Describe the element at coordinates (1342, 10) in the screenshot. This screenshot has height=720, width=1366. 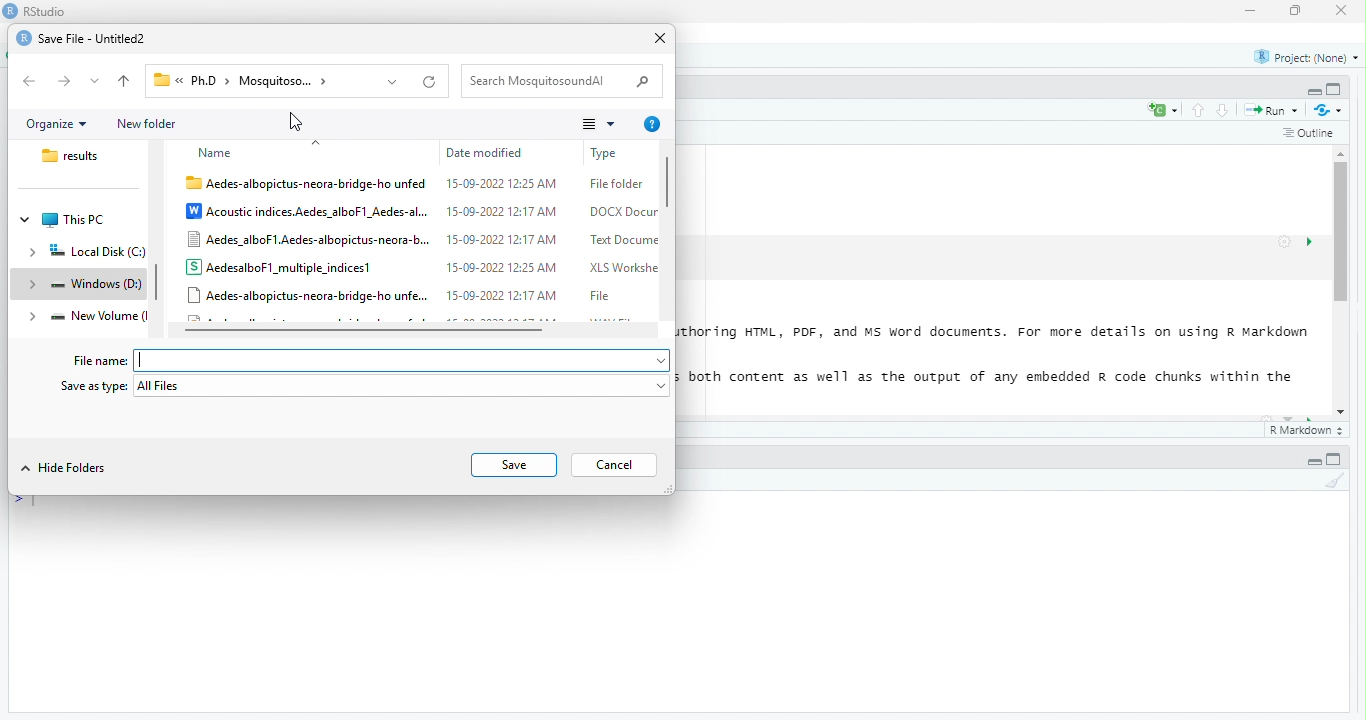
I see `close` at that location.